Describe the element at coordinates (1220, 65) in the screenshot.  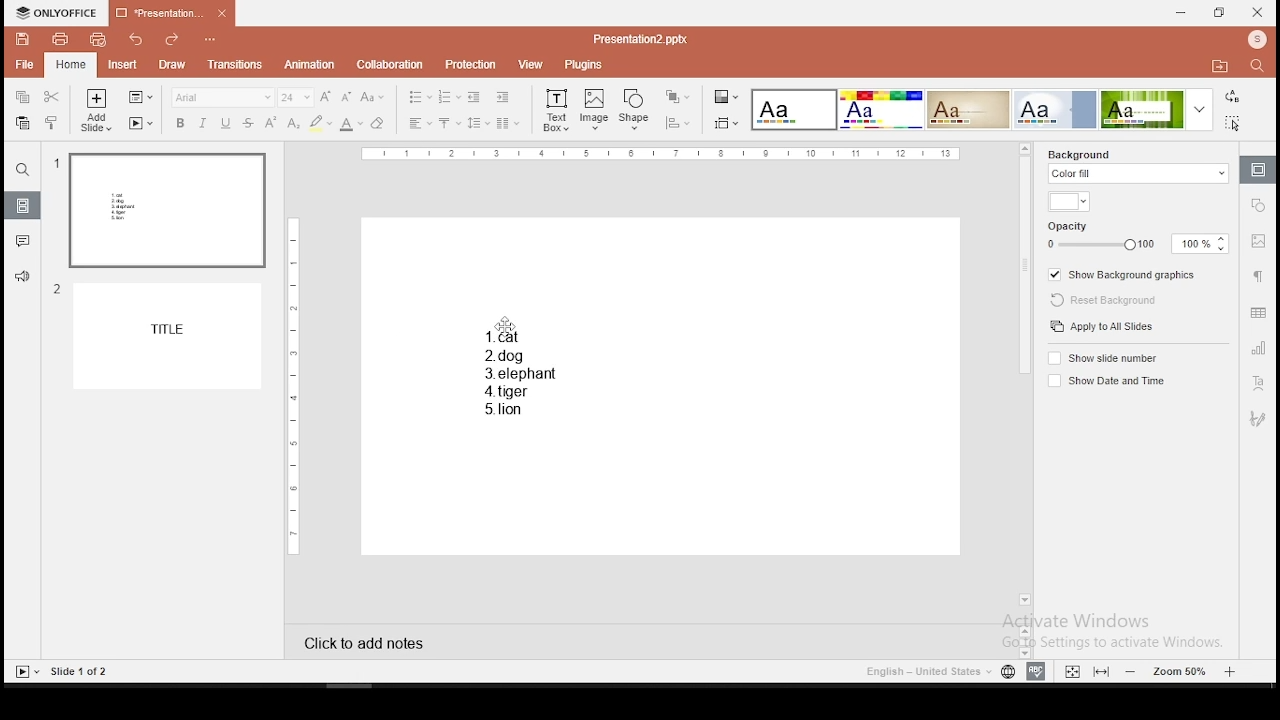
I see `folder` at that location.